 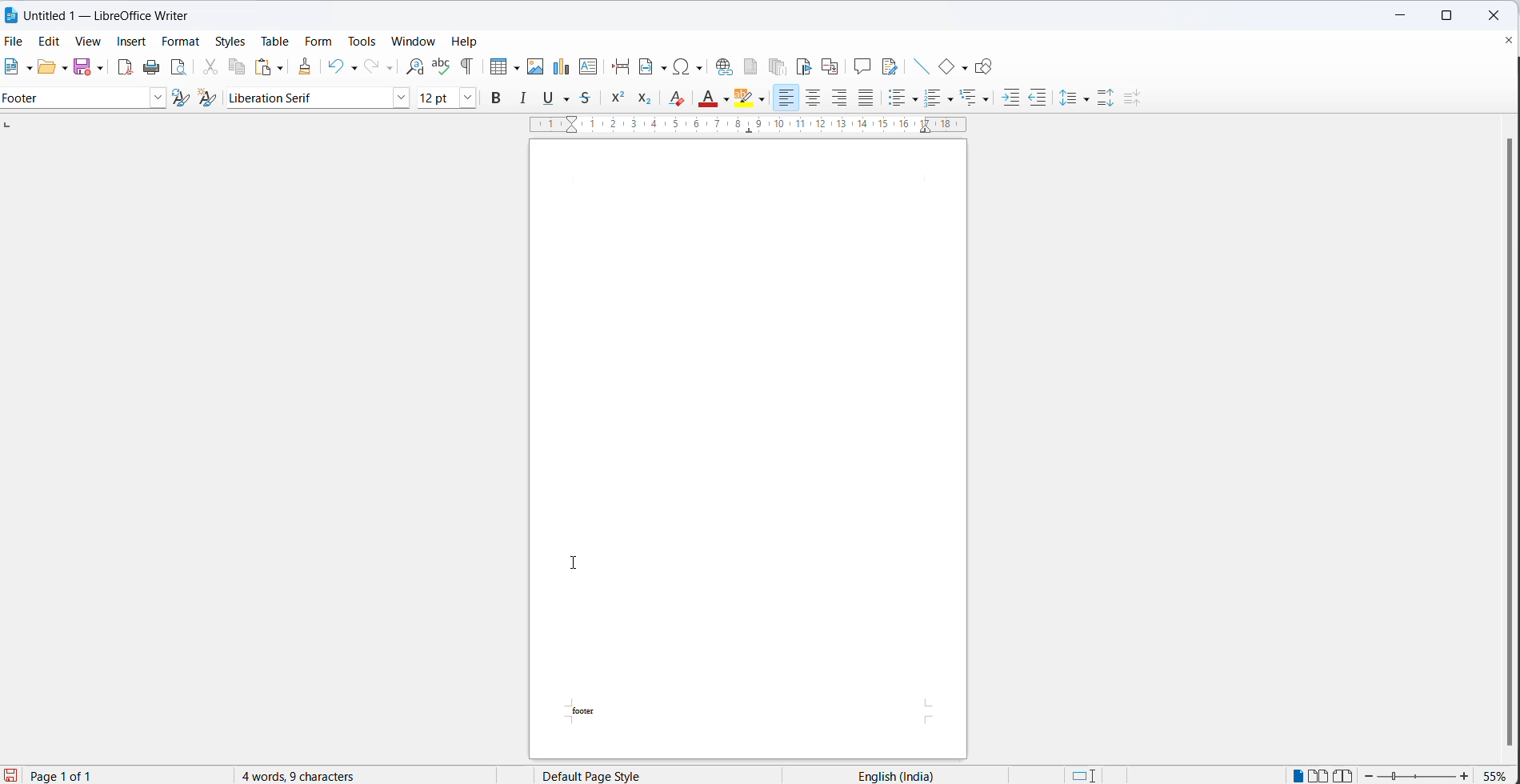 What do you see at coordinates (918, 64) in the screenshot?
I see `insert line` at bounding box center [918, 64].